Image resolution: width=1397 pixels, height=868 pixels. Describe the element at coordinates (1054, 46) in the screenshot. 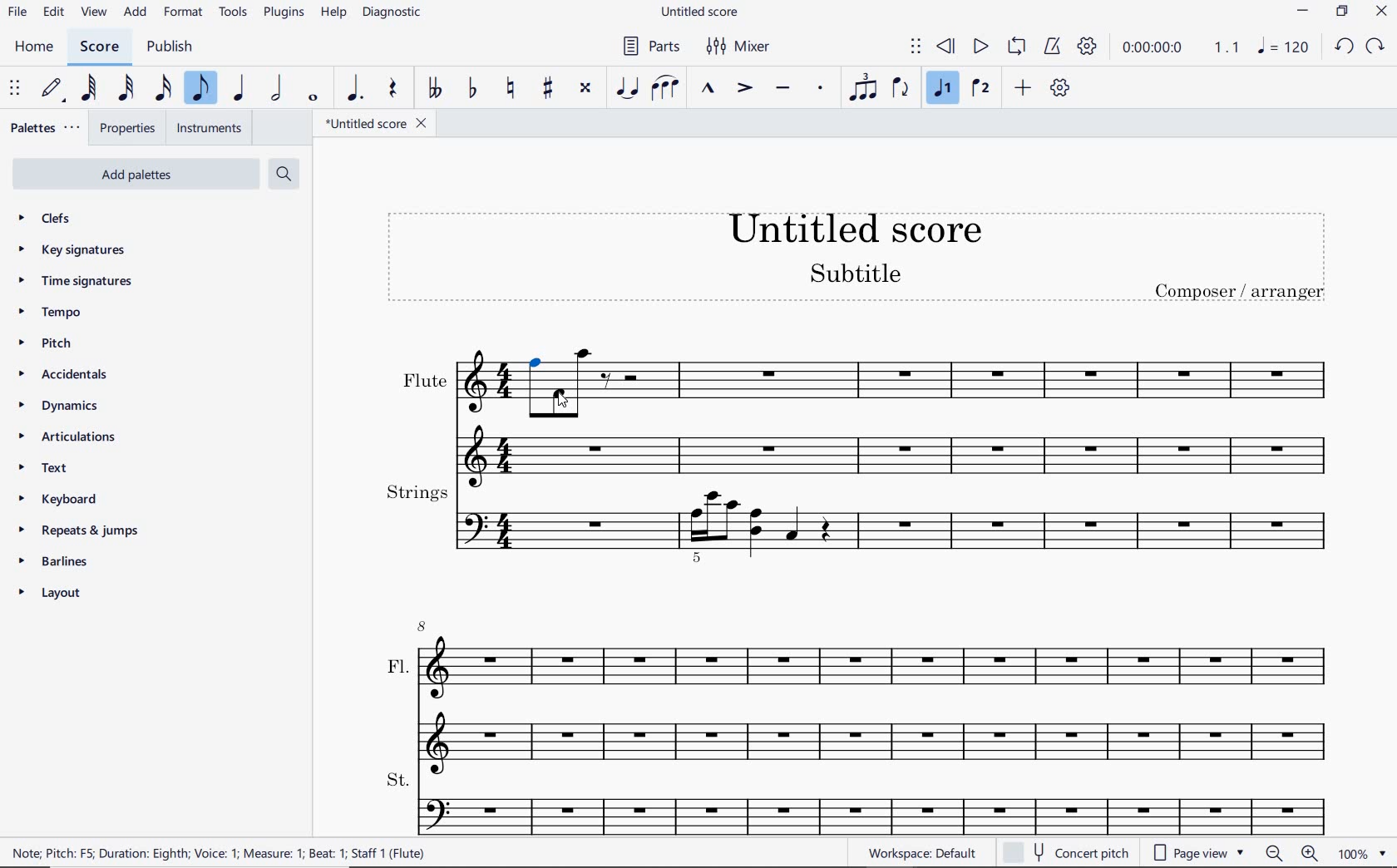

I see `METRONOME` at that location.